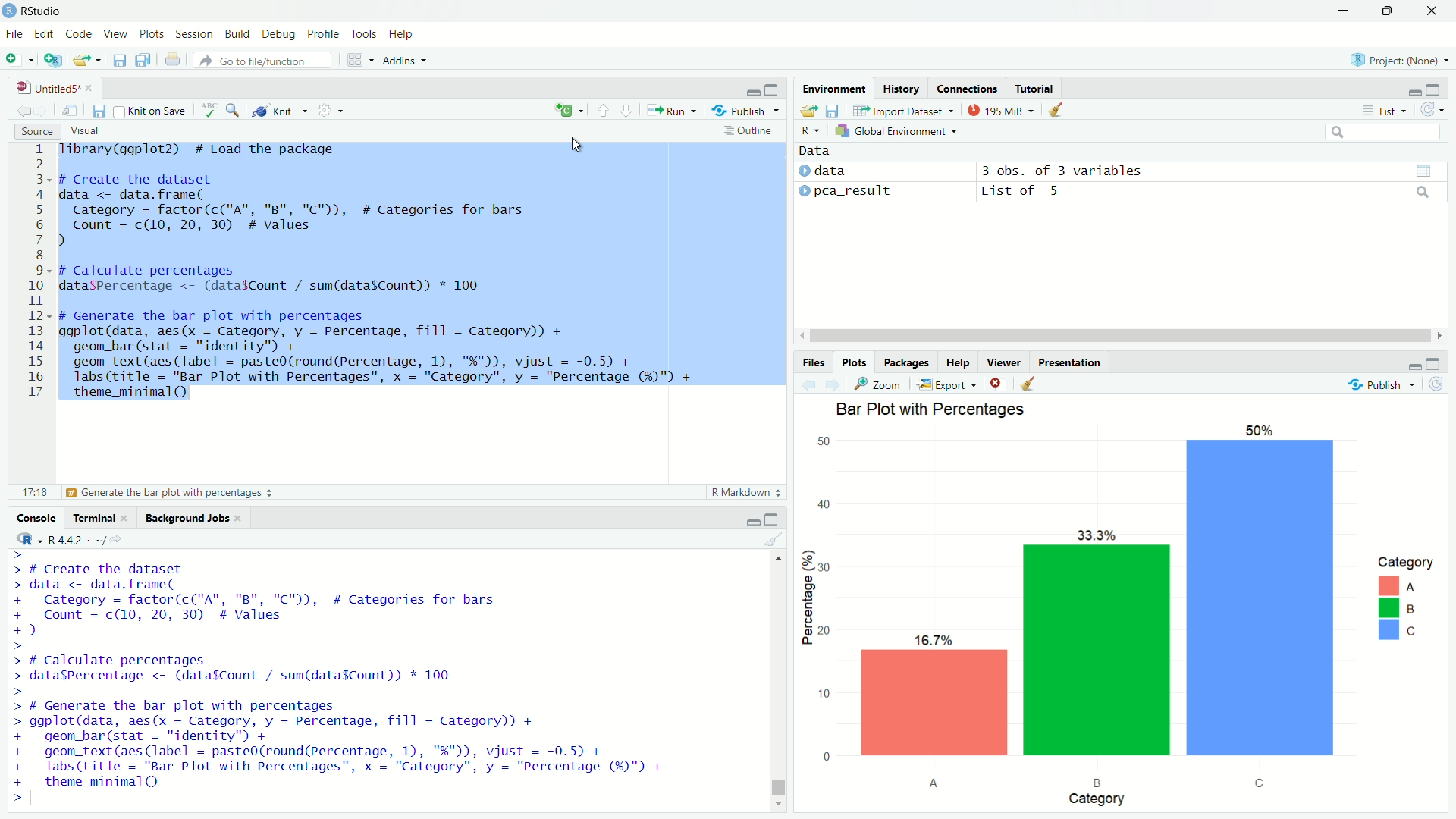  I want to click on background jobs, so click(192, 518).